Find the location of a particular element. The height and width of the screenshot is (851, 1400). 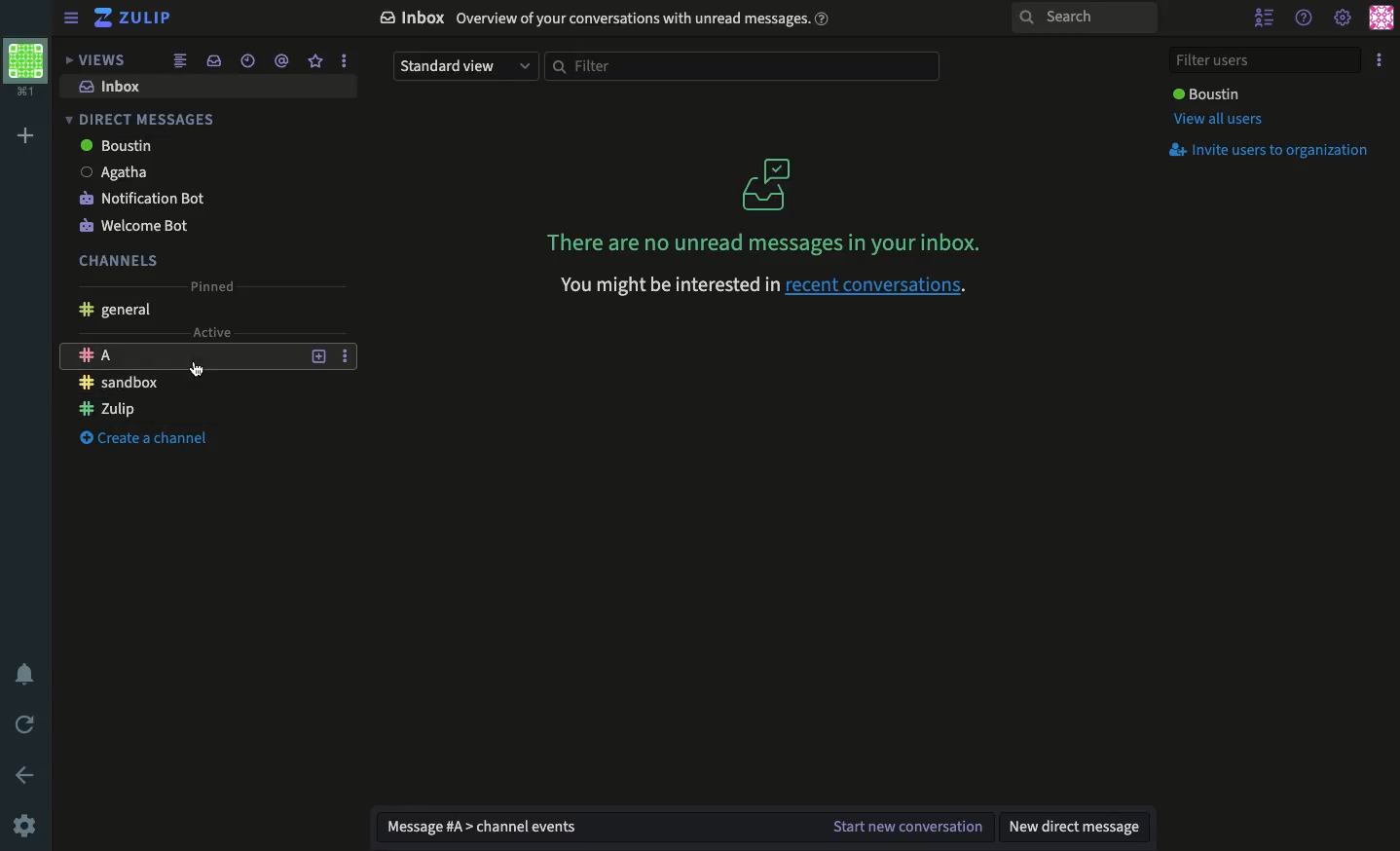

Options is located at coordinates (1381, 60).